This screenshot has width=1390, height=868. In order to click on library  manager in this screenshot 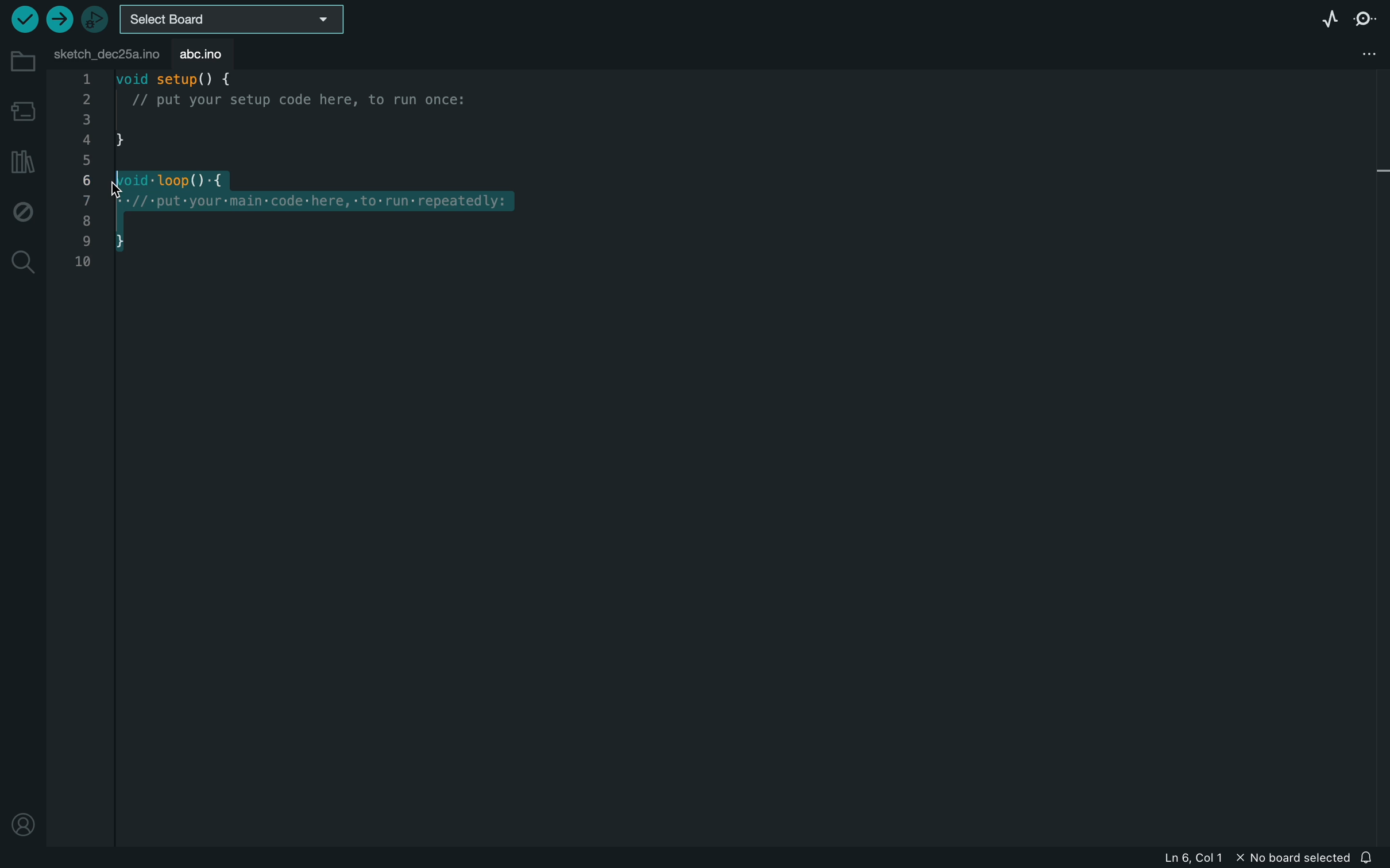, I will do `click(23, 158)`.